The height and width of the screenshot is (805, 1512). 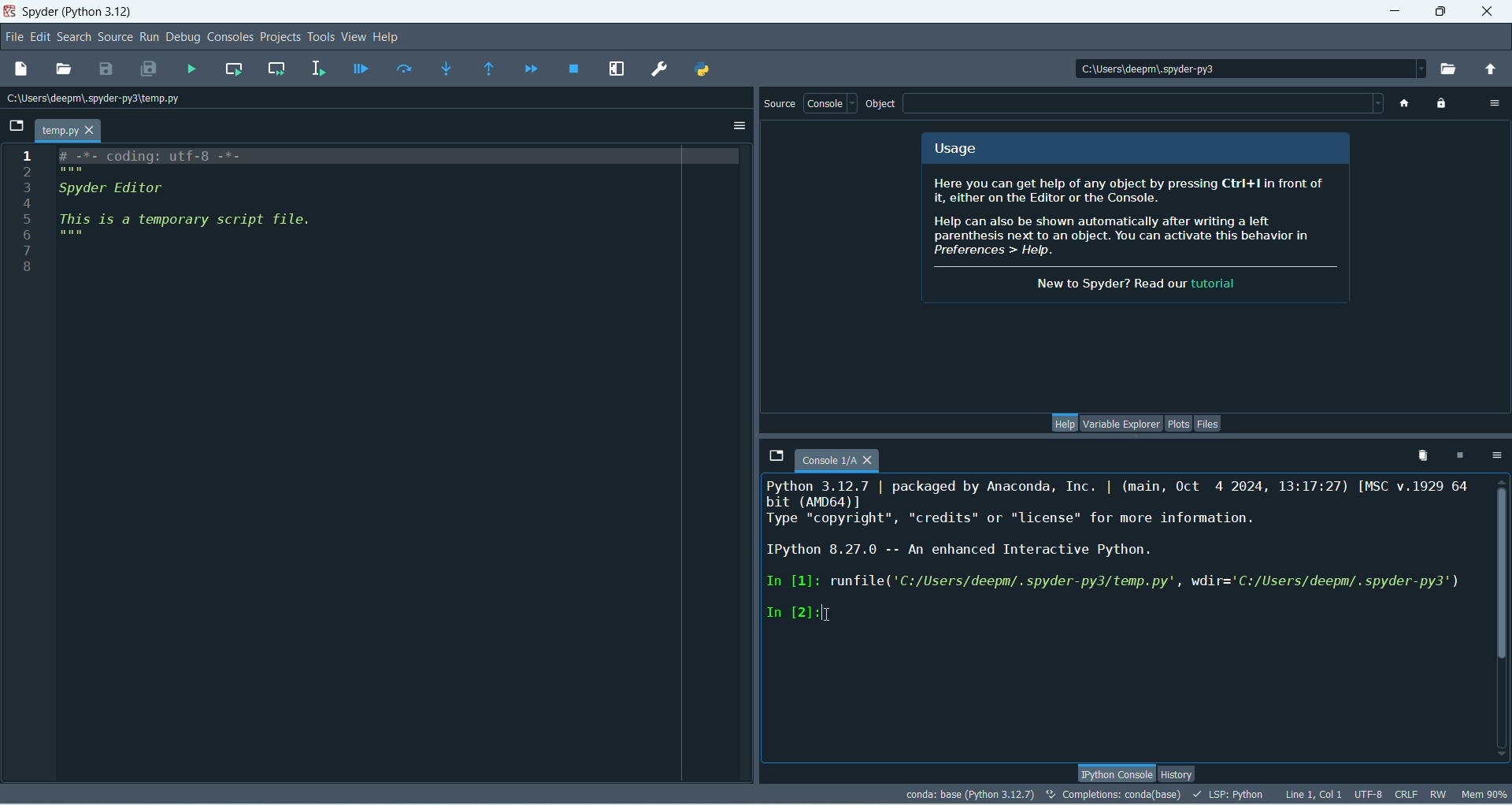 I want to click on RW, so click(x=1440, y=795).